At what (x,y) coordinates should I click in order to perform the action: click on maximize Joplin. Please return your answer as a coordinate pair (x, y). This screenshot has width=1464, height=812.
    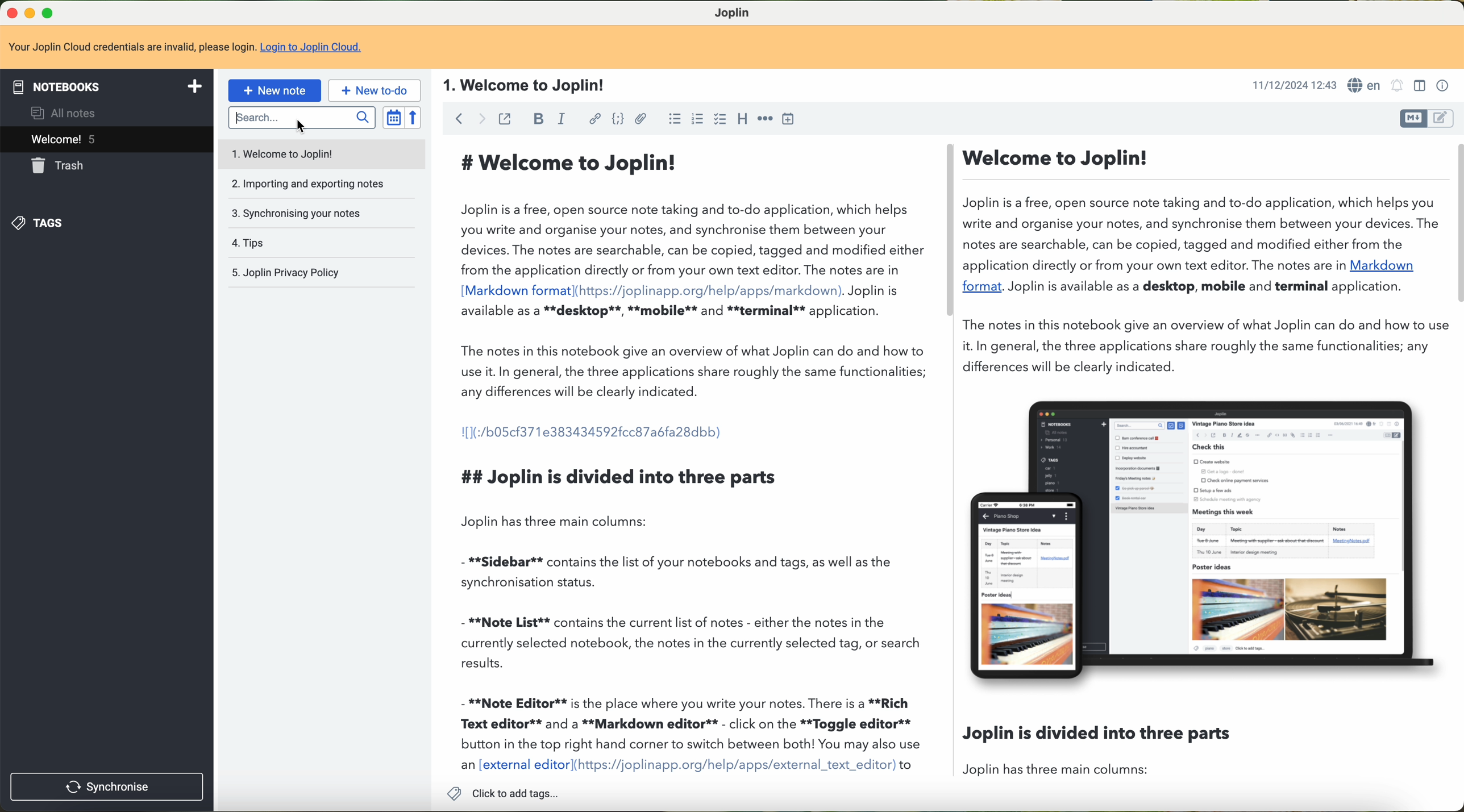
    Looking at the image, I should click on (50, 13).